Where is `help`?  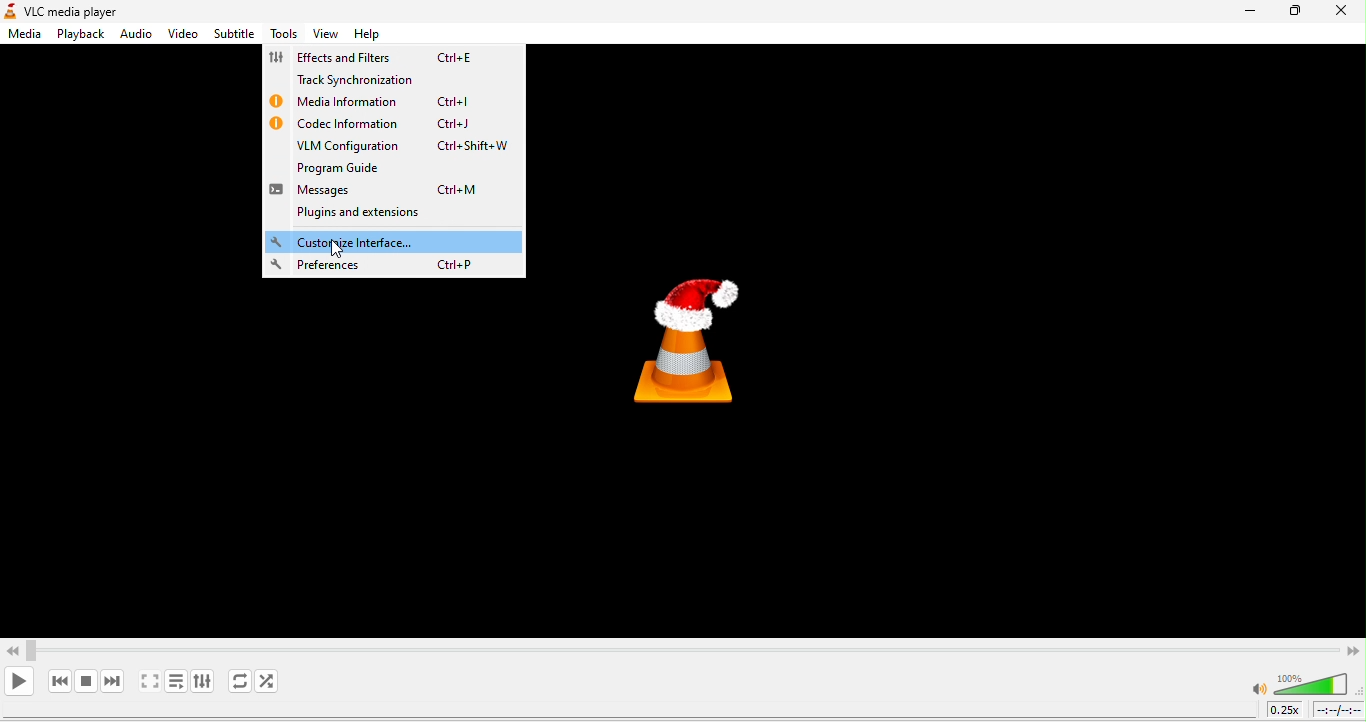
help is located at coordinates (364, 37).